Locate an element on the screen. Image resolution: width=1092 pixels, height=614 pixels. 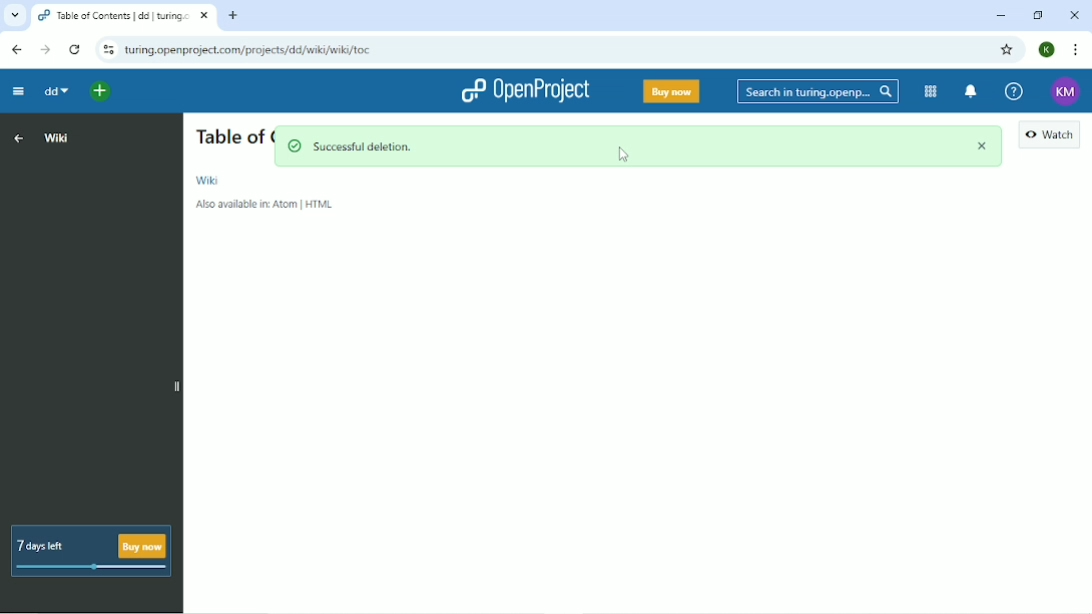
Search is located at coordinates (818, 92).